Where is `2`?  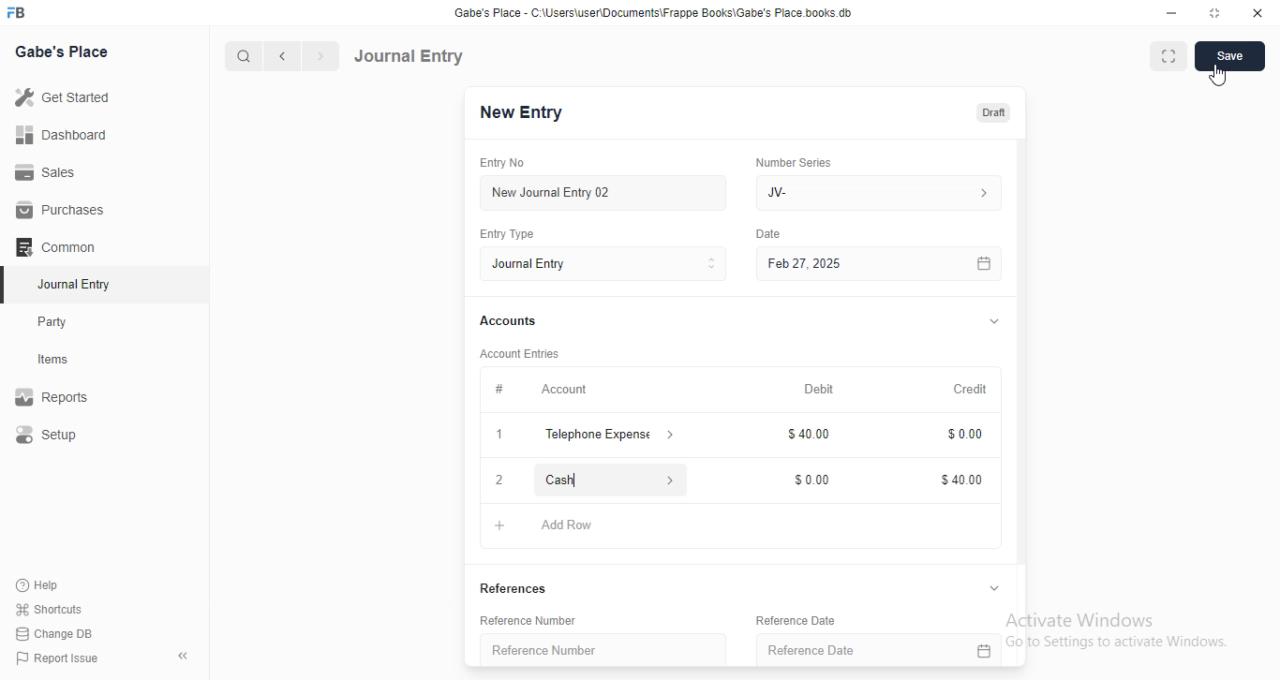 2 is located at coordinates (498, 480).